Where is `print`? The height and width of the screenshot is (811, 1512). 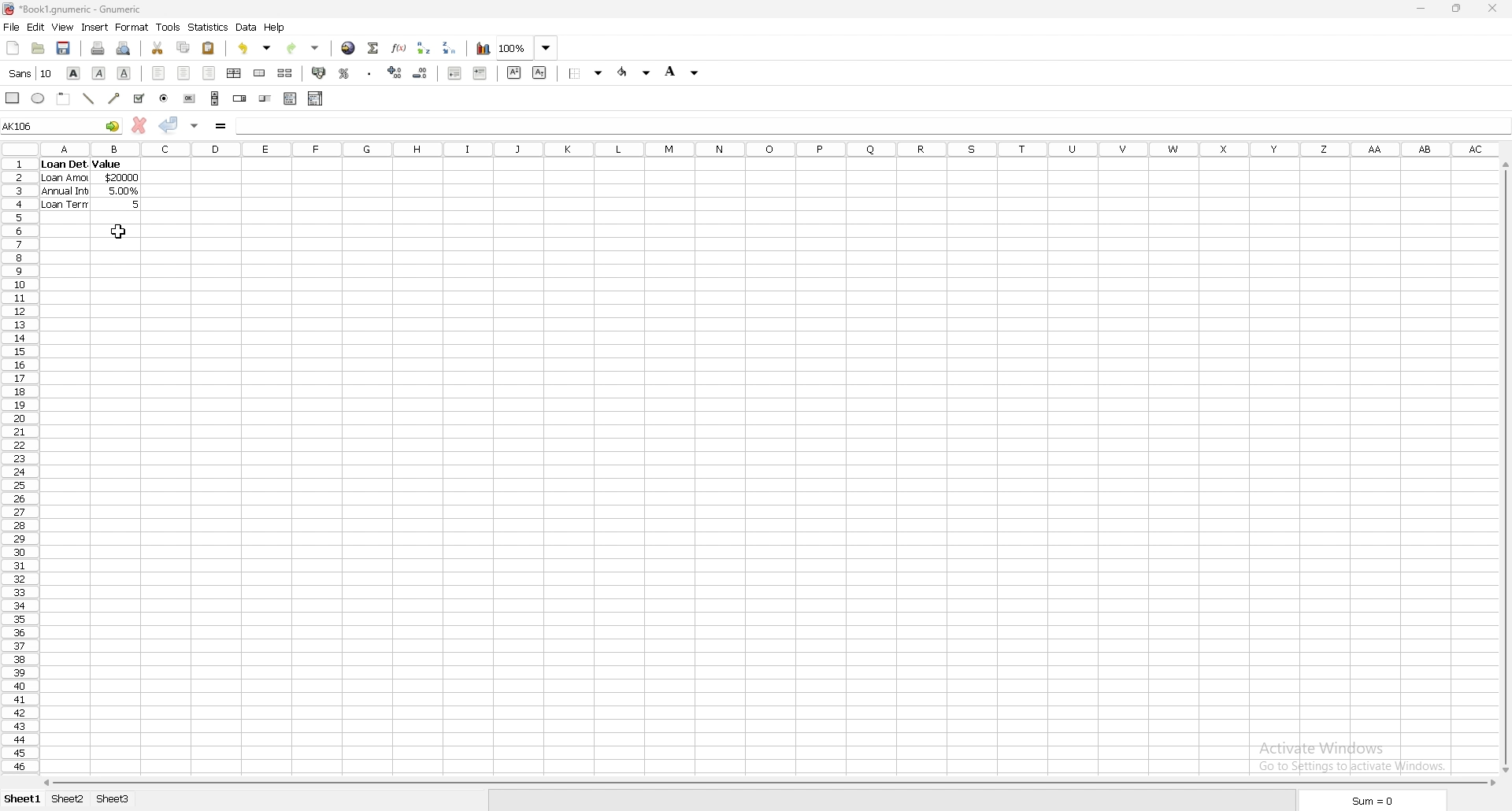 print is located at coordinates (99, 47).